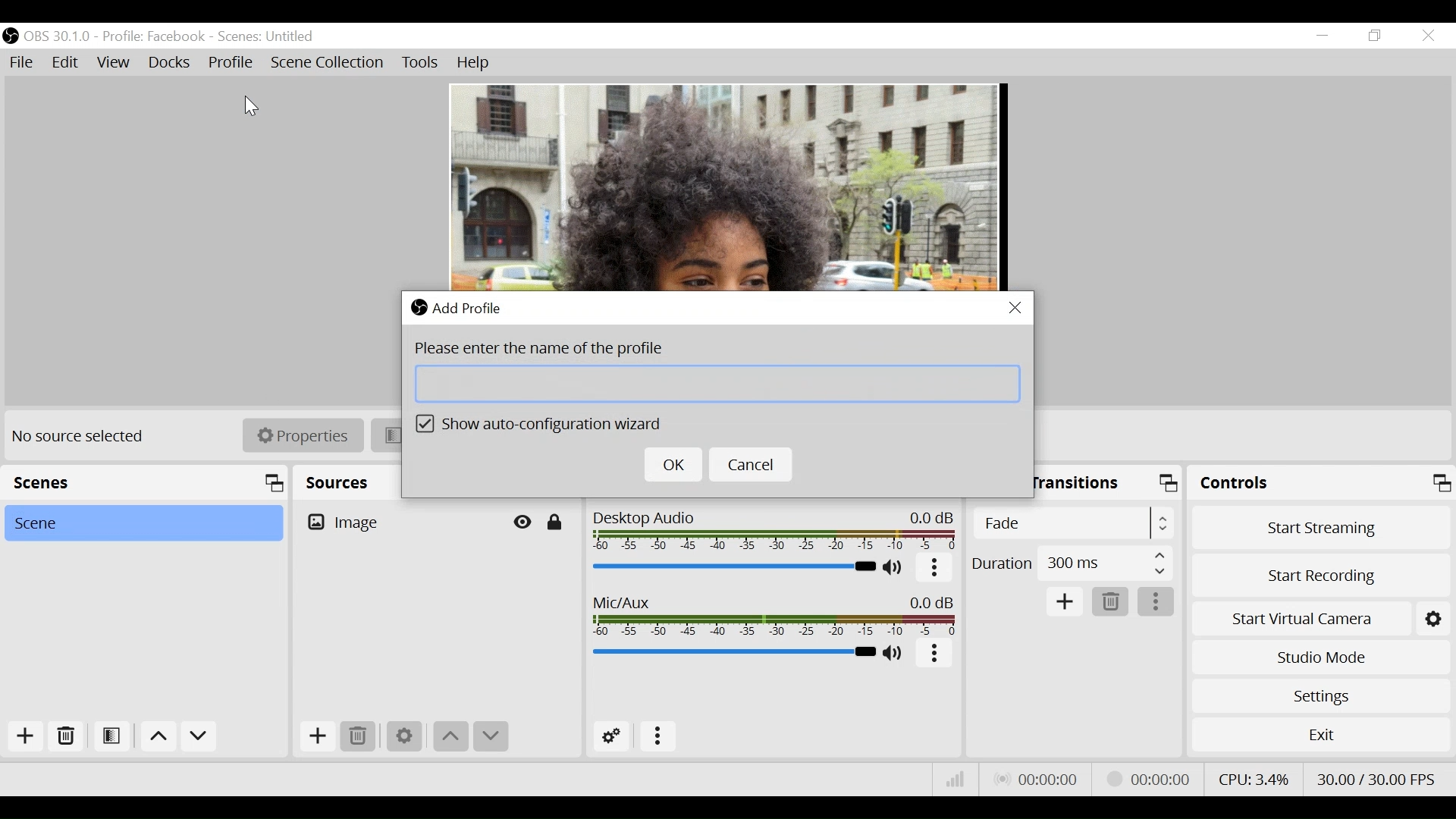 Image resolution: width=1456 pixels, height=819 pixels. Describe the element at coordinates (24, 63) in the screenshot. I see `File` at that location.